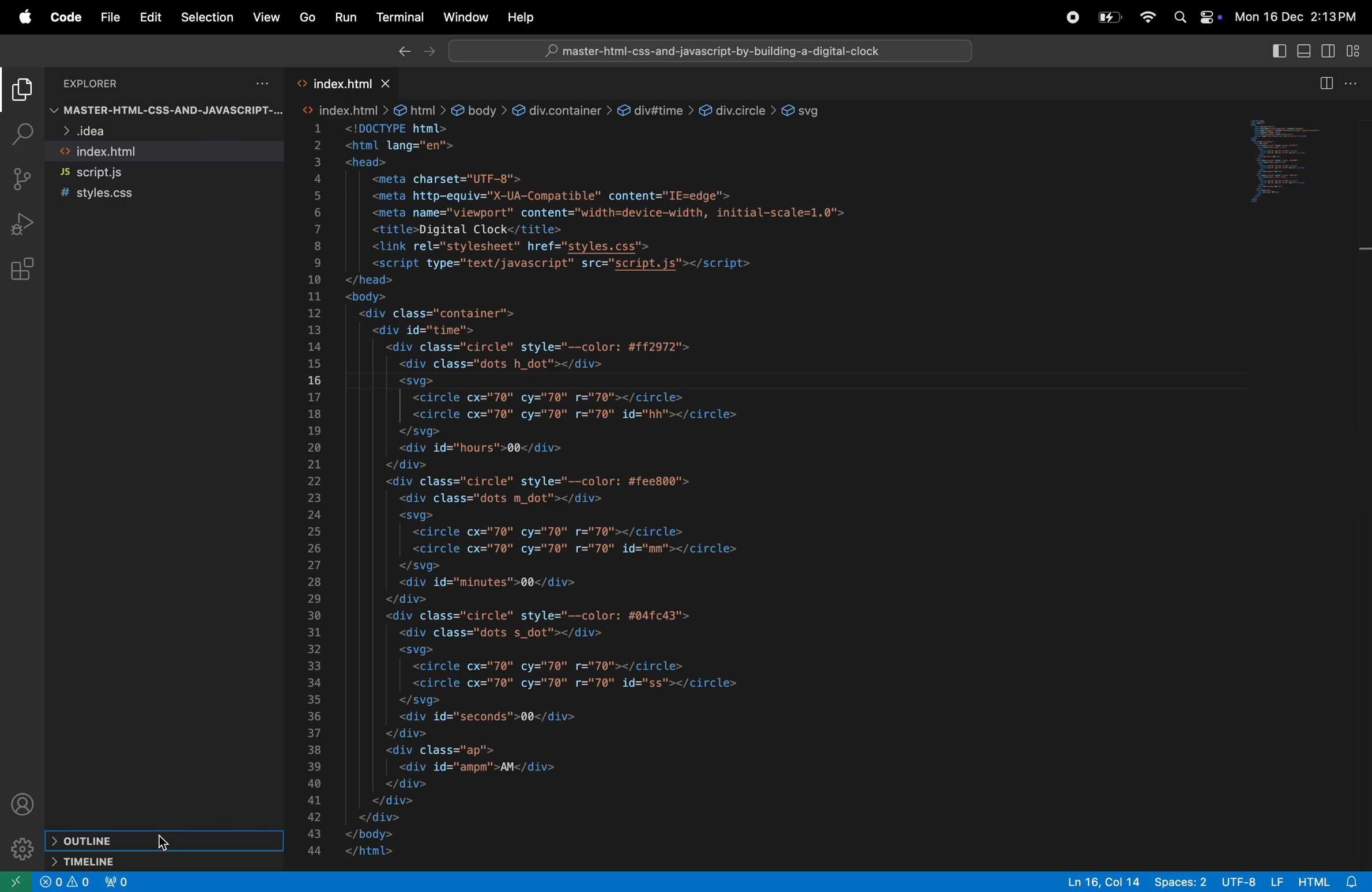  Describe the element at coordinates (1098, 881) in the screenshot. I see `Ln 16, Col 14` at that location.